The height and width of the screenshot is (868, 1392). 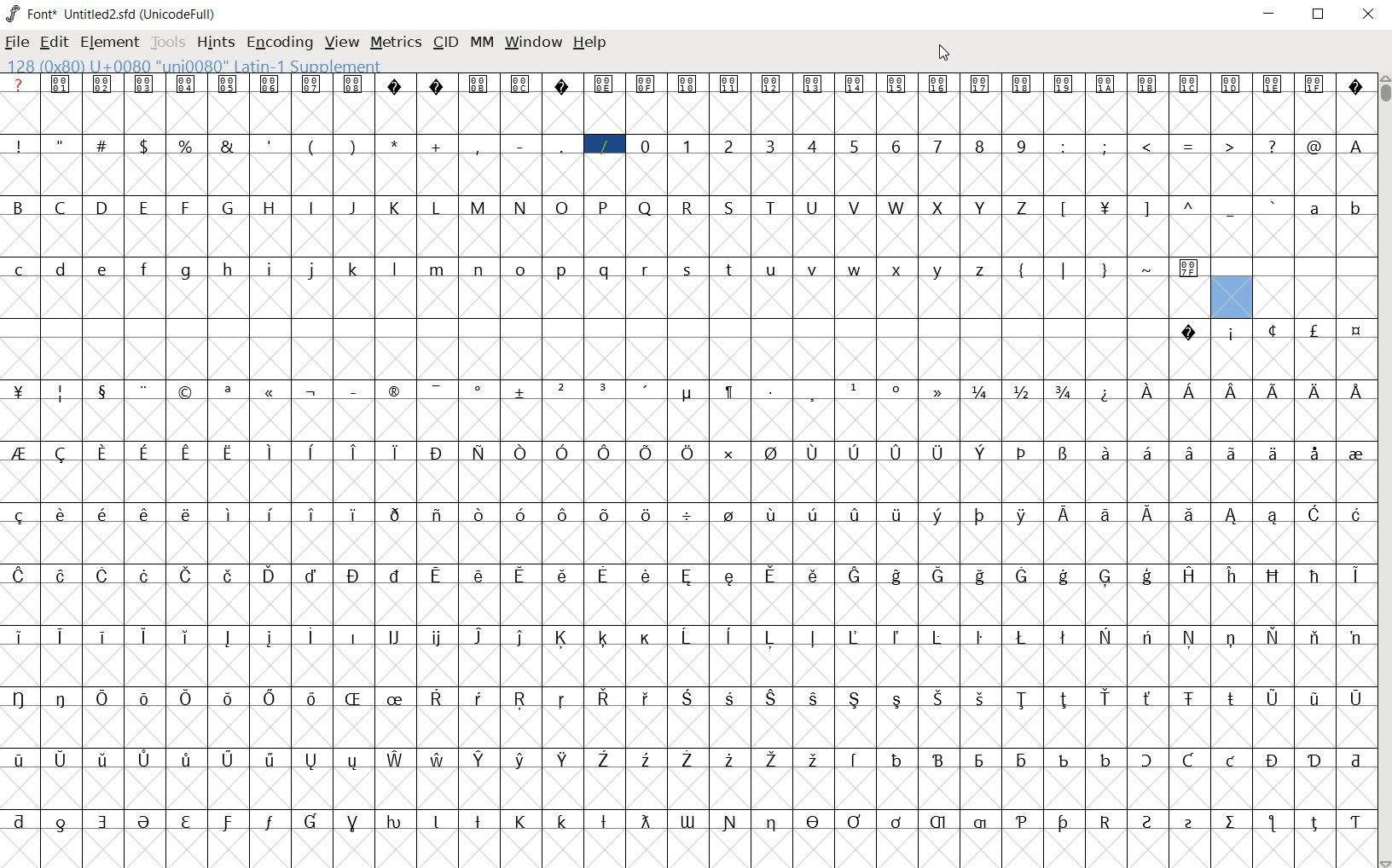 What do you see at coordinates (143, 146) in the screenshot?
I see `glyph` at bounding box center [143, 146].